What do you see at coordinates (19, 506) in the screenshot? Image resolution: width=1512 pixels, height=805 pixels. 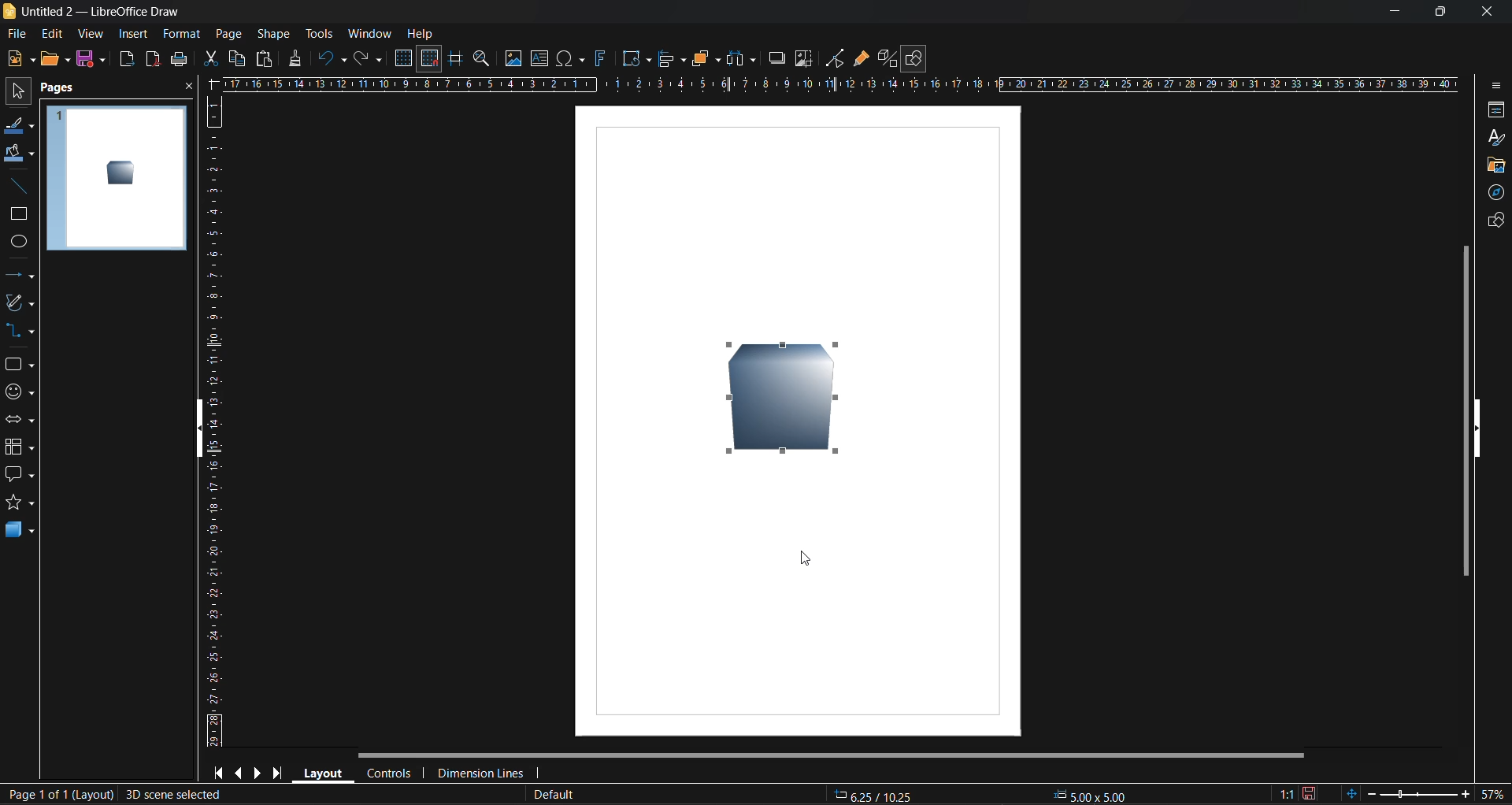 I see `stars and banners` at bounding box center [19, 506].